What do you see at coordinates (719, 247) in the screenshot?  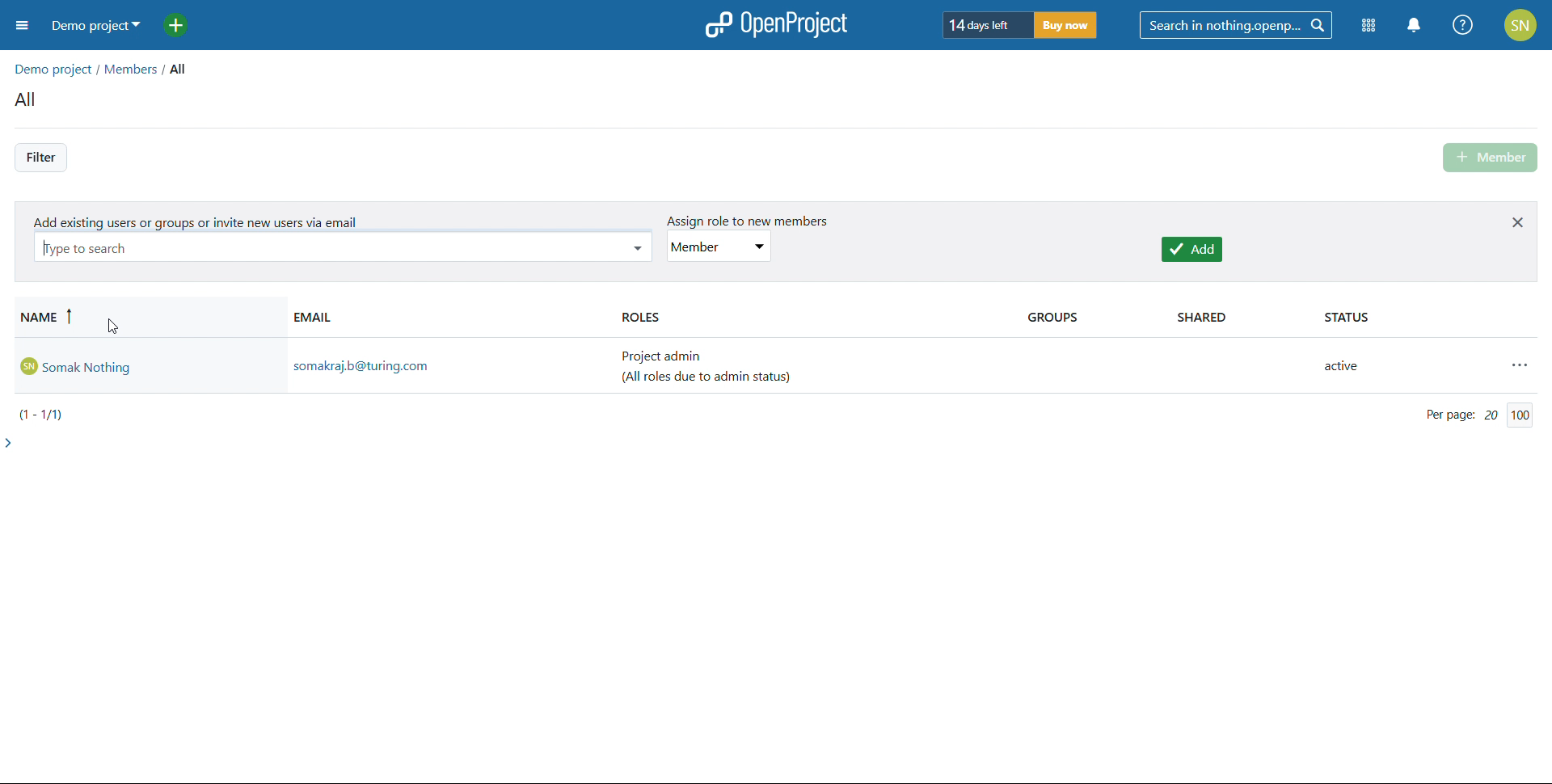 I see `set role` at bounding box center [719, 247].